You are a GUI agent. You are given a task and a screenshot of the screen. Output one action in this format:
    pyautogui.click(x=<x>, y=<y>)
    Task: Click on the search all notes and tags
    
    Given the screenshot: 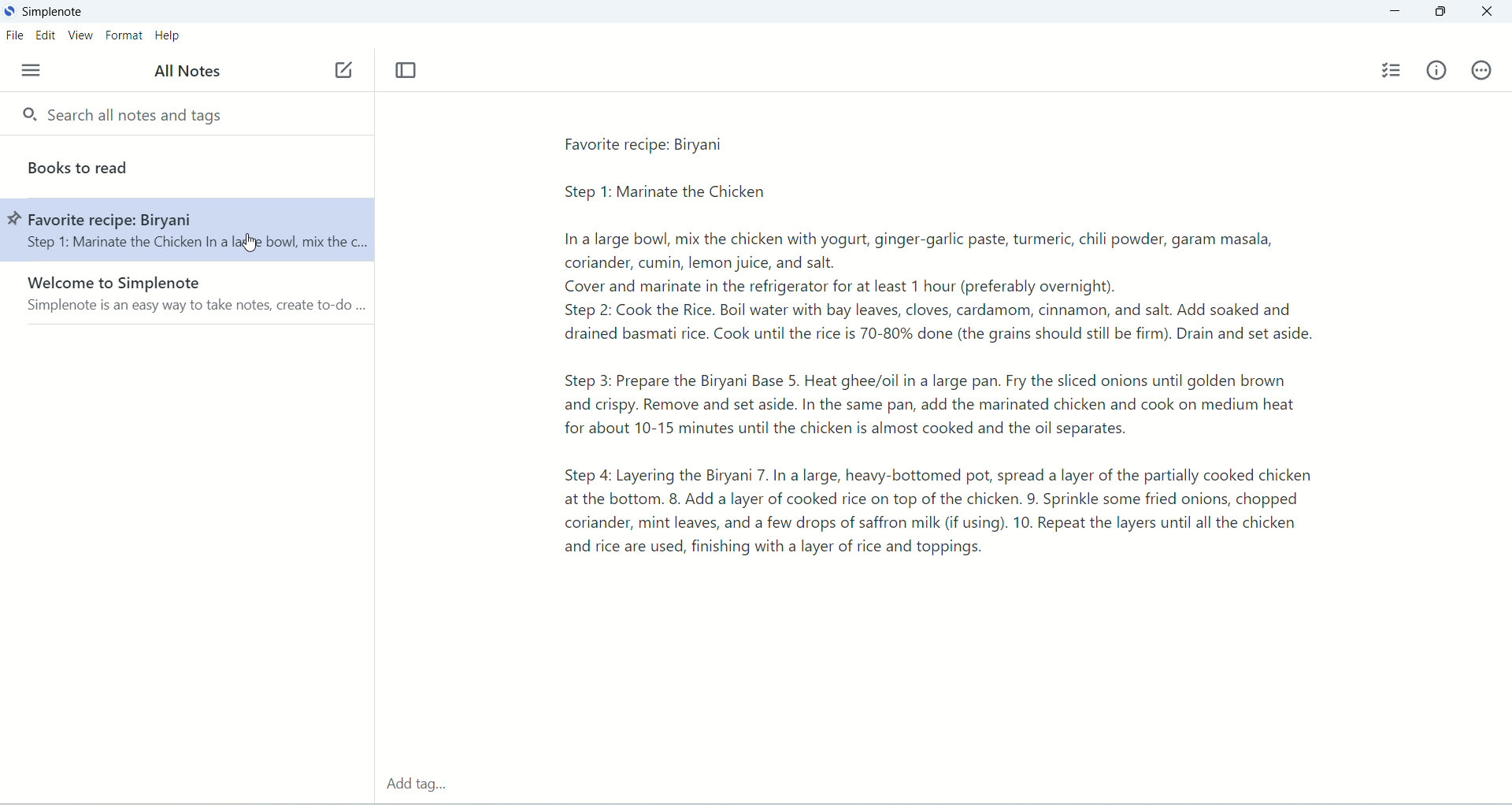 What is the action you would take?
    pyautogui.click(x=133, y=115)
    